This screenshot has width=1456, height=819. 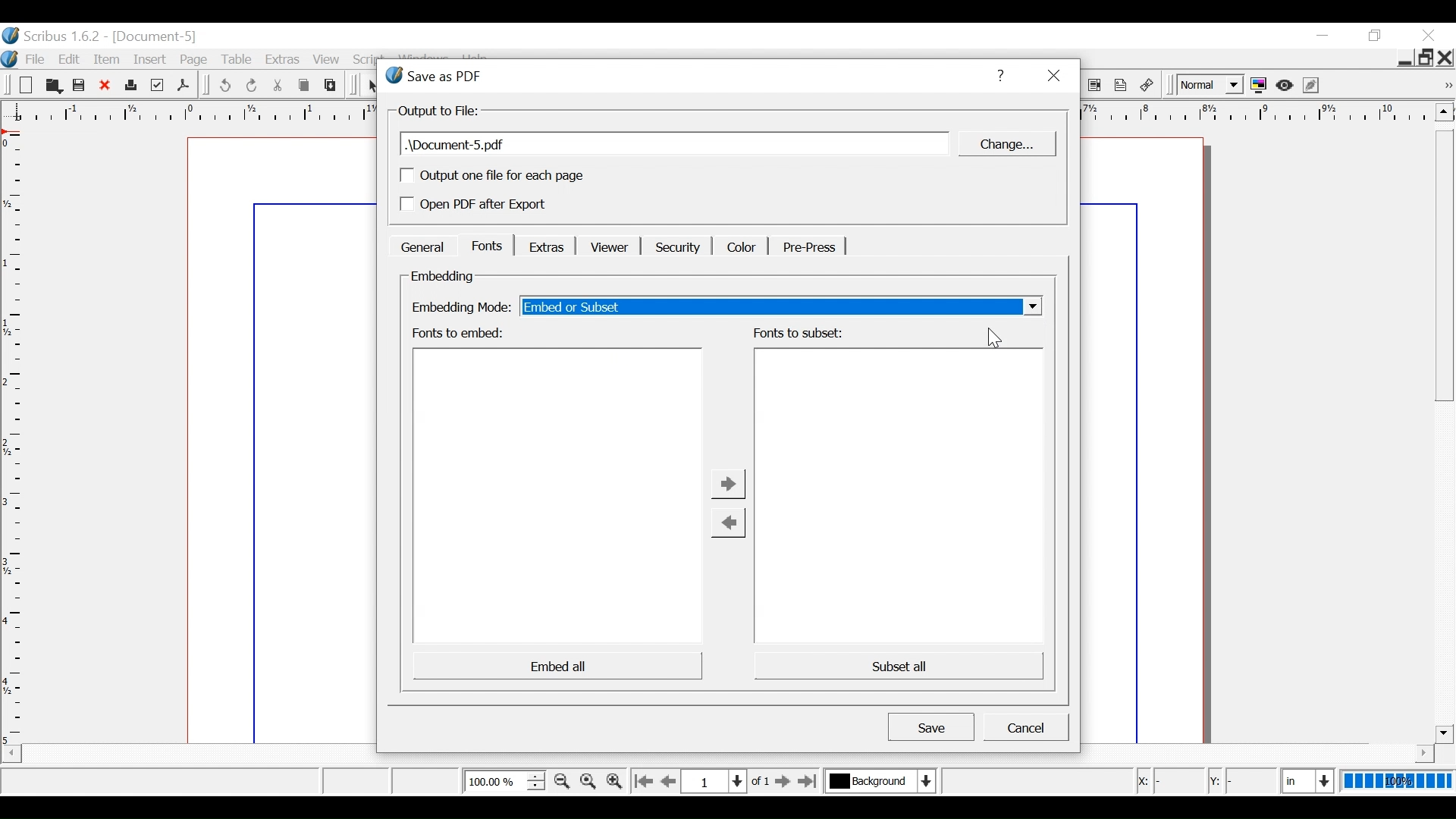 What do you see at coordinates (493, 206) in the screenshot?
I see `(un)select Open PDF after Export` at bounding box center [493, 206].